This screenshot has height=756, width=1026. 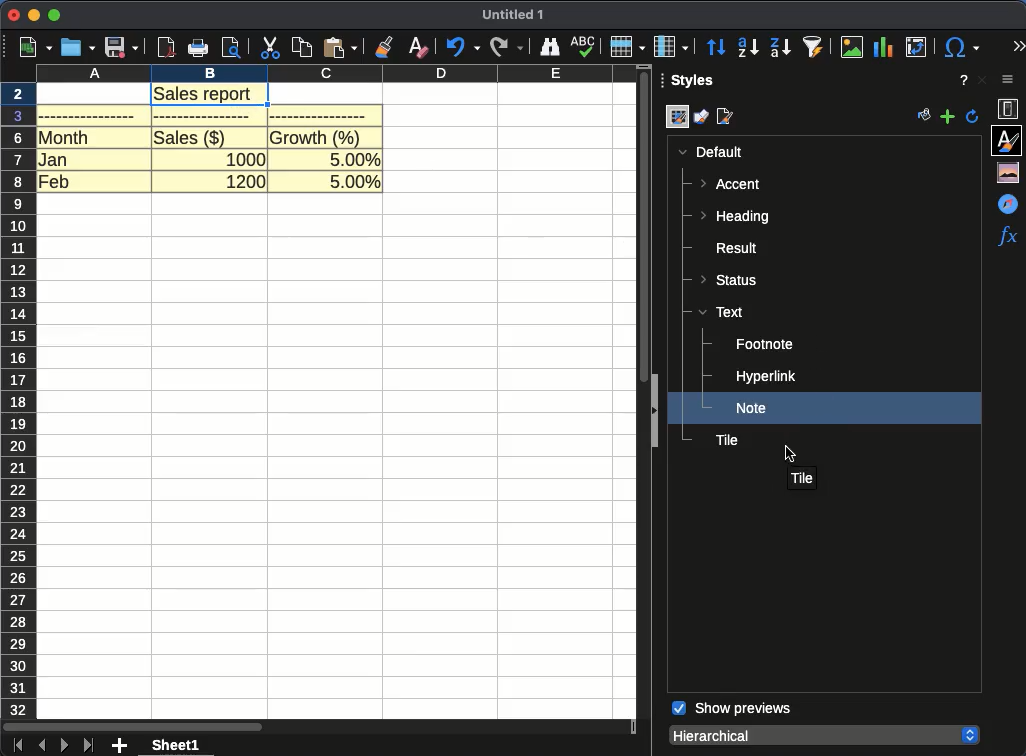 I want to click on next sheet, so click(x=63, y=745).